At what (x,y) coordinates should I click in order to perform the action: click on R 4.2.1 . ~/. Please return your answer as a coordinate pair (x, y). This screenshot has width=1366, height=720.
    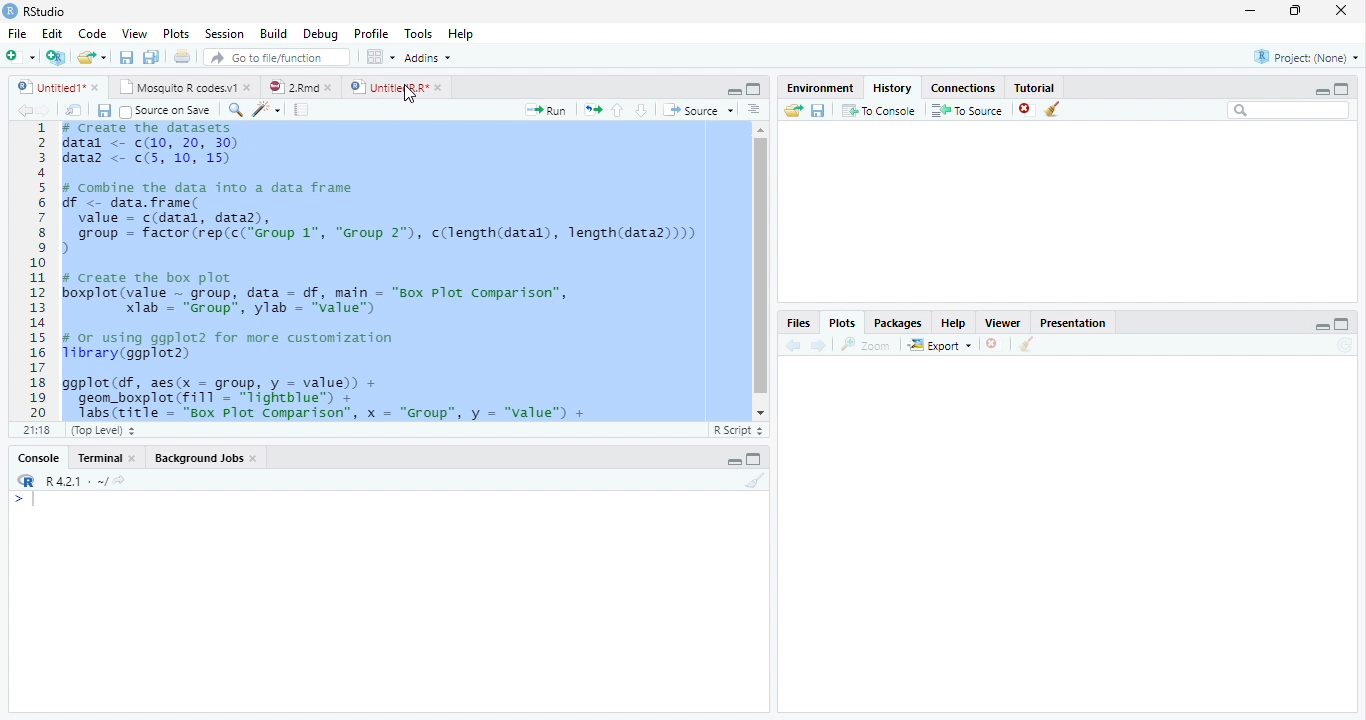
    Looking at the image, I should click on (76, 480).